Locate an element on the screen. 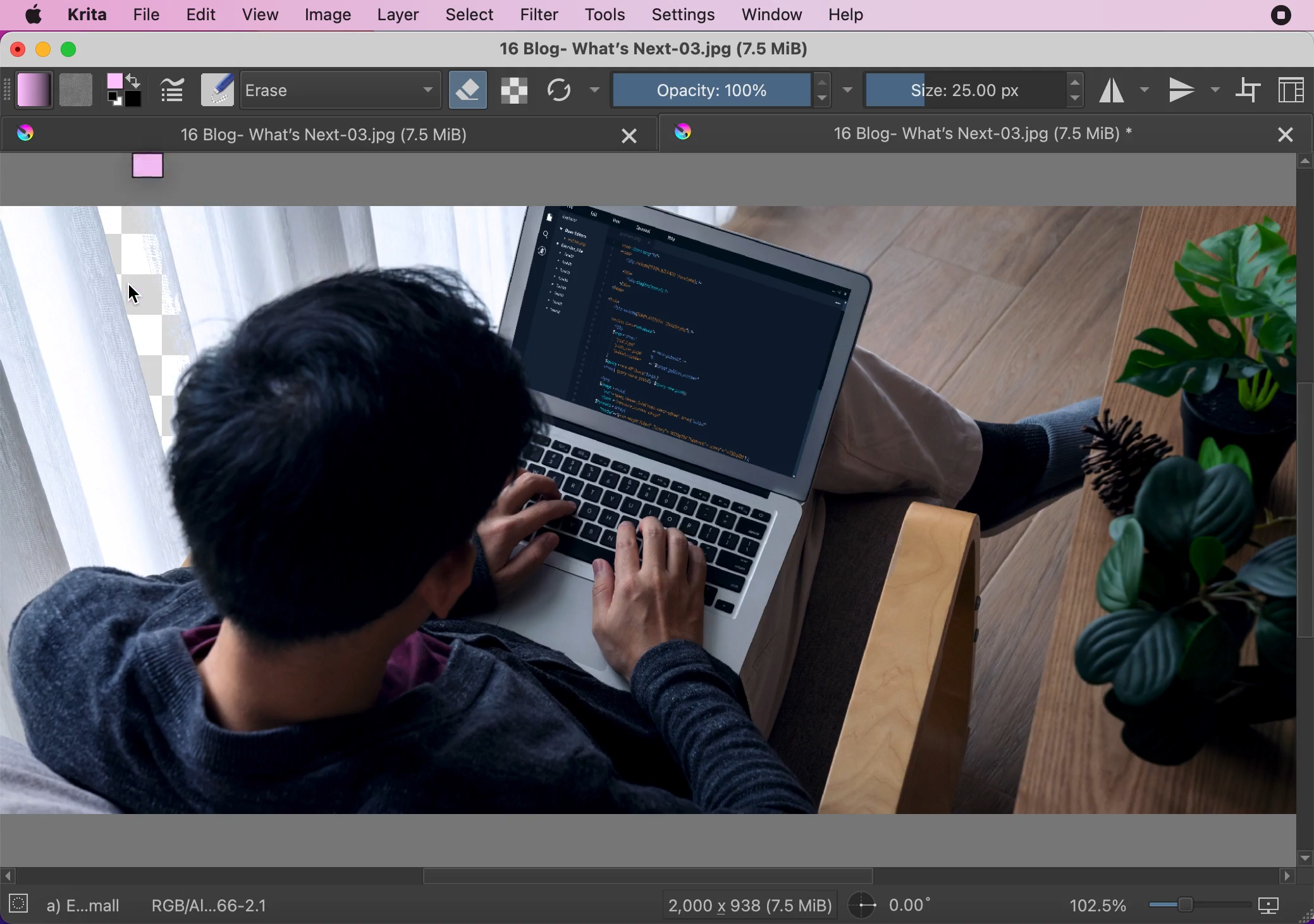 This screenshot has height=924, width=1314. image is located at coordinates (649, 516).